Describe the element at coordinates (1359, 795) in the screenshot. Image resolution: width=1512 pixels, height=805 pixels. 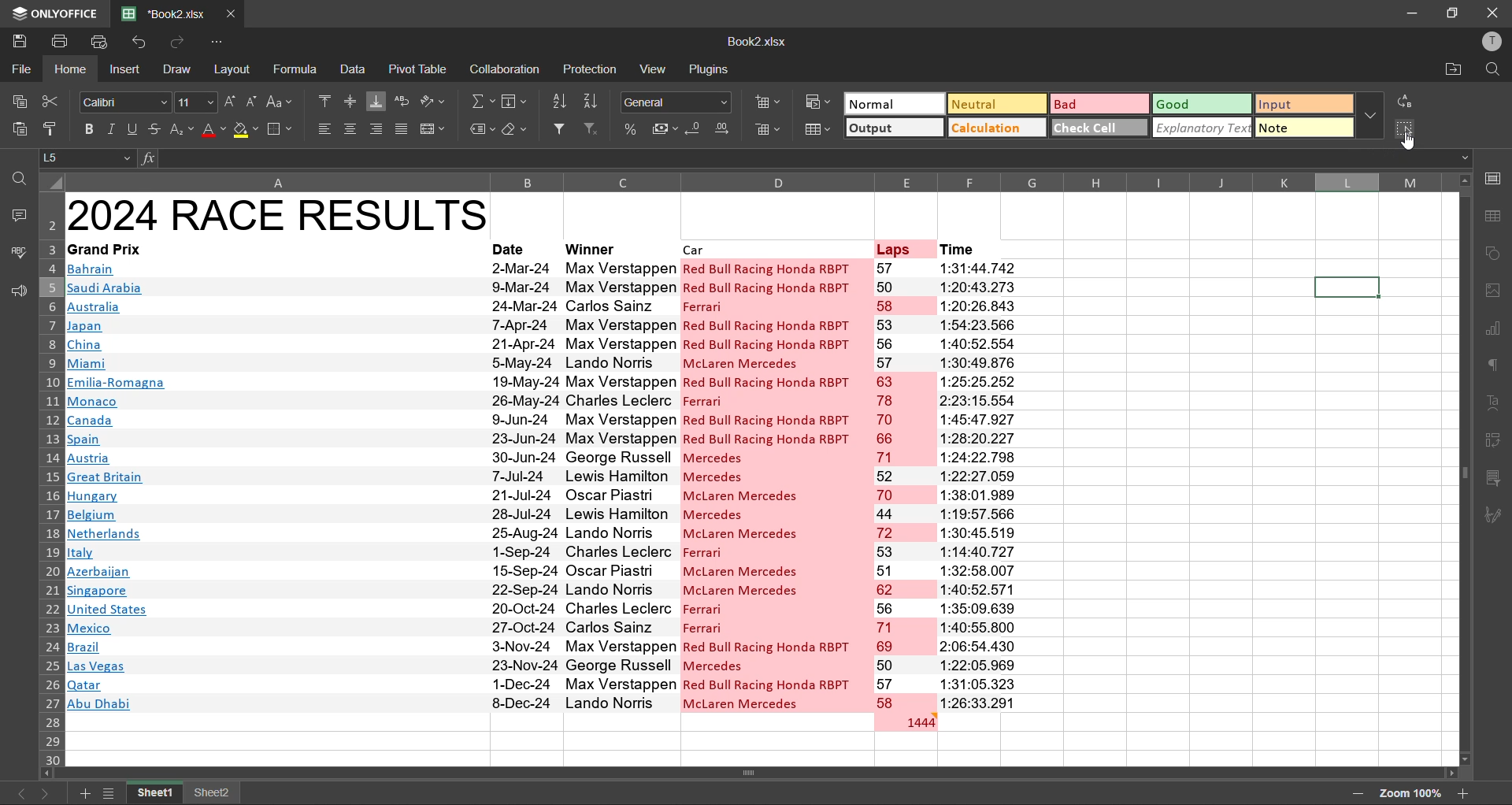
I see `zoom out` at that location.